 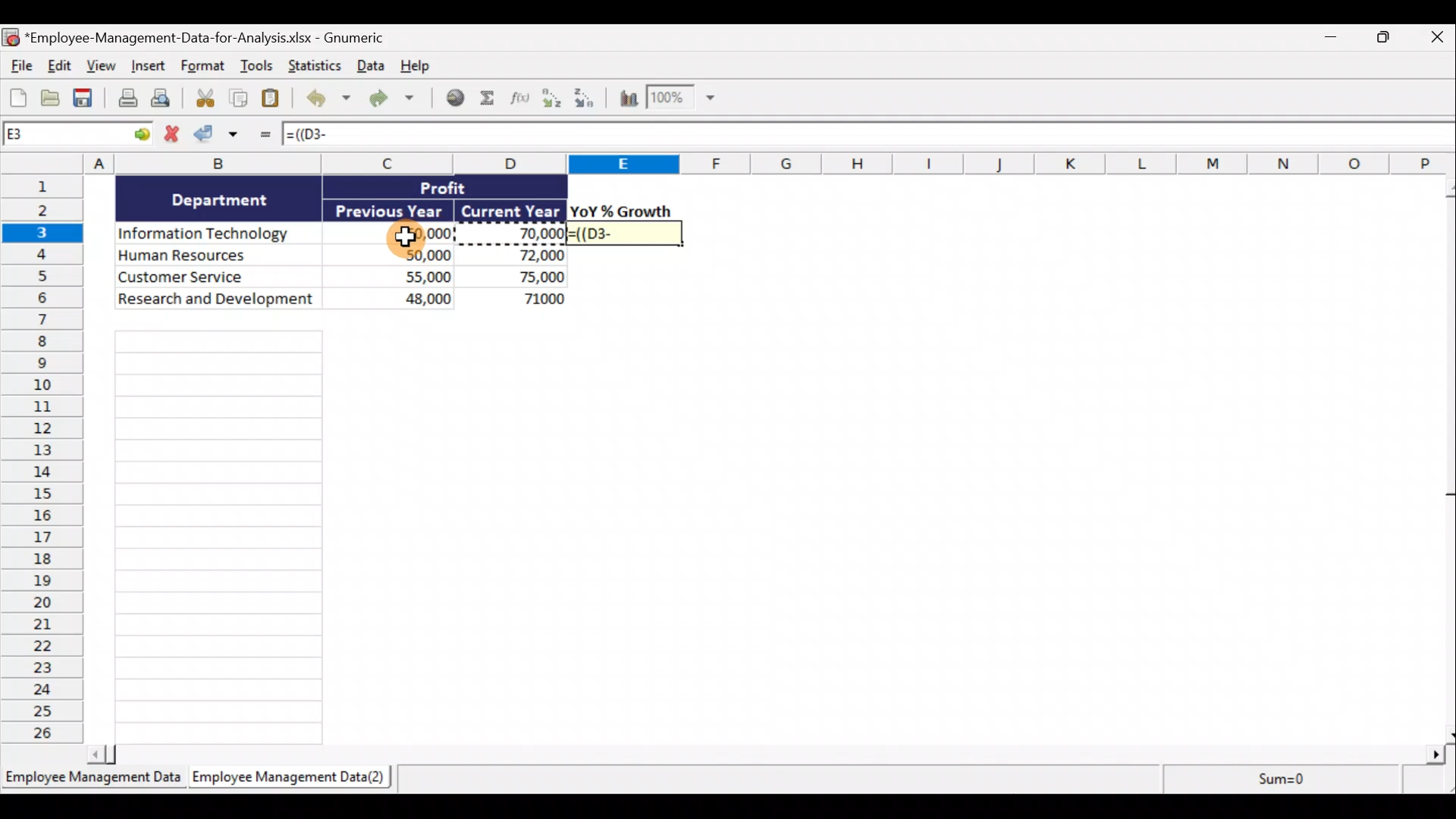 What do you see at coordinates (415, 67) in the screenshot?
I see `Help` at bounding box center [415, 67].